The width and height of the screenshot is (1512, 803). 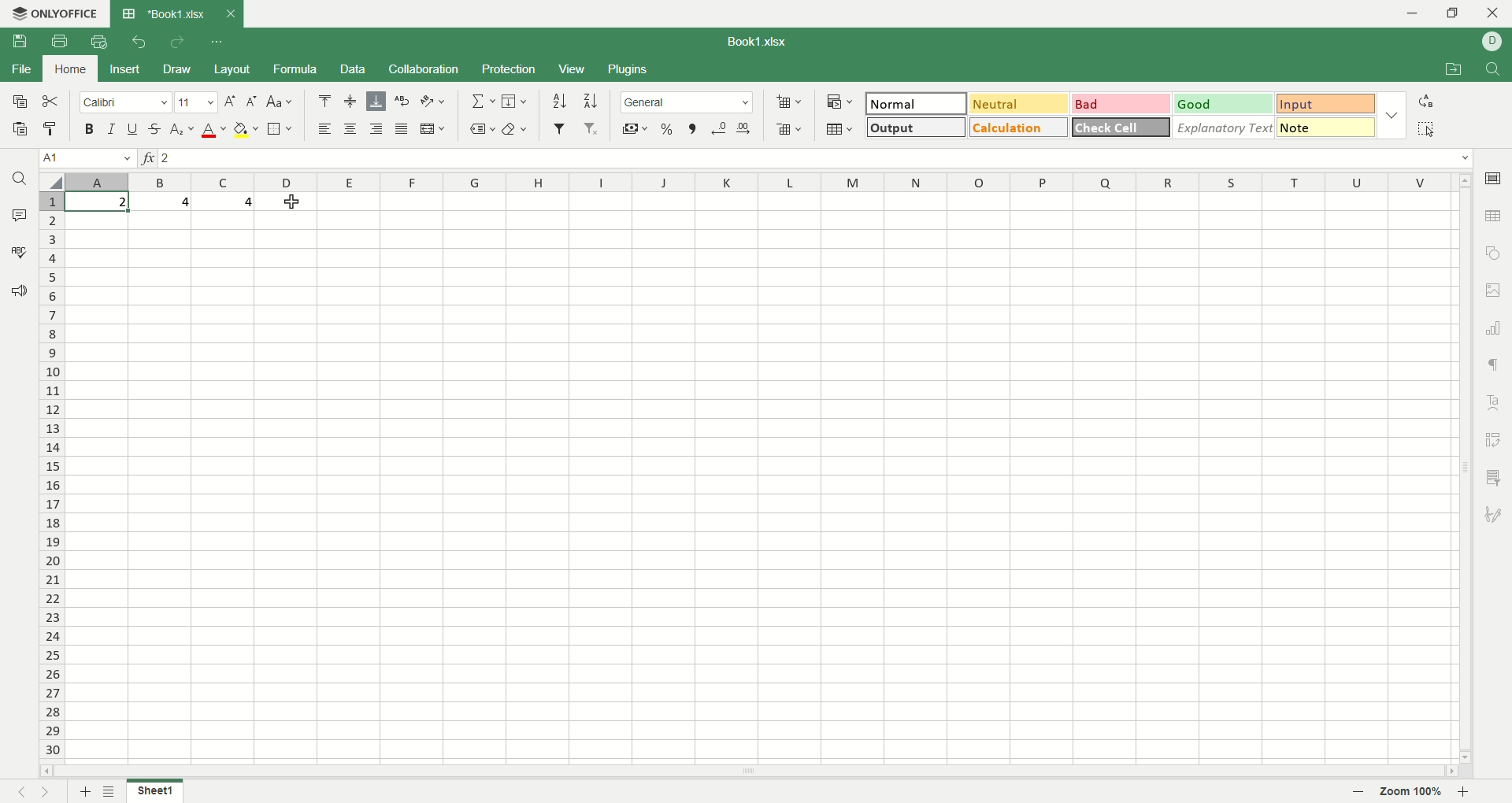 What do you see at coordinates (571, 70) in the screenshot?
I see `view` at bounding box center [571, 70].